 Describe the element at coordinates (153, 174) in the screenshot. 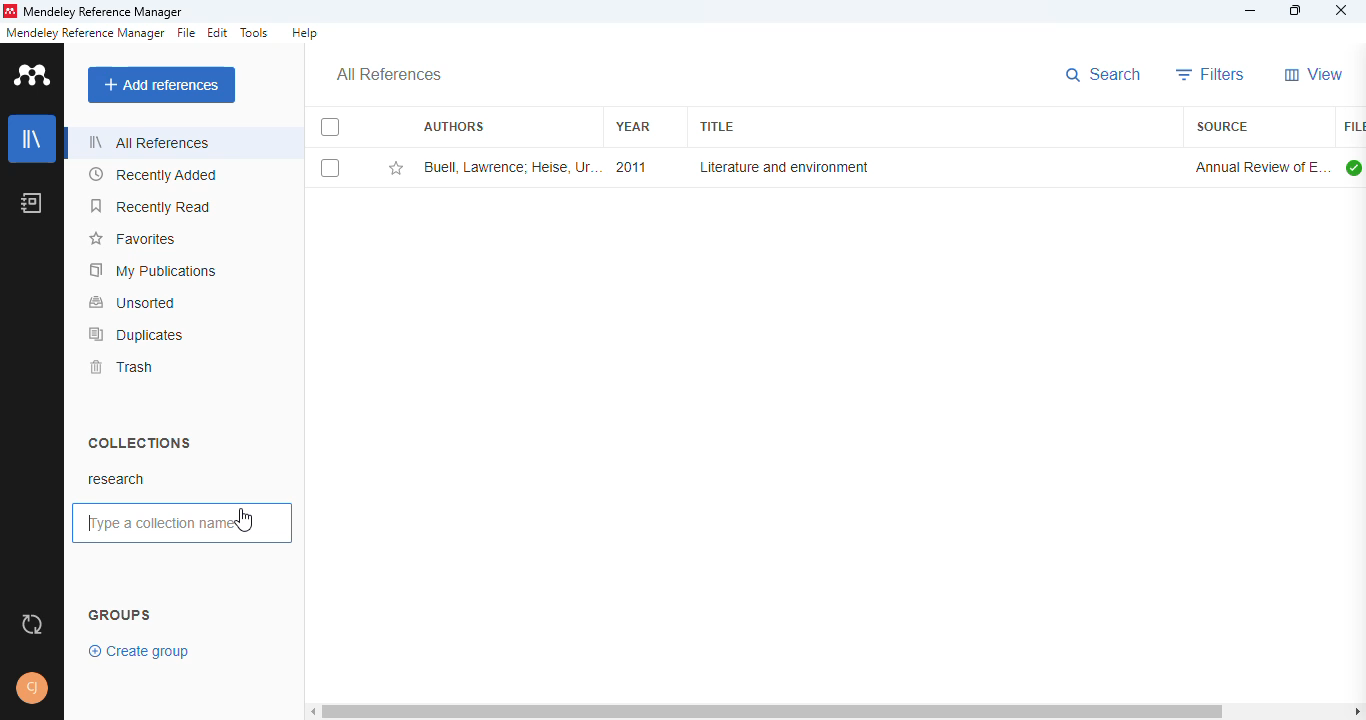

I see `recently added` at that location.